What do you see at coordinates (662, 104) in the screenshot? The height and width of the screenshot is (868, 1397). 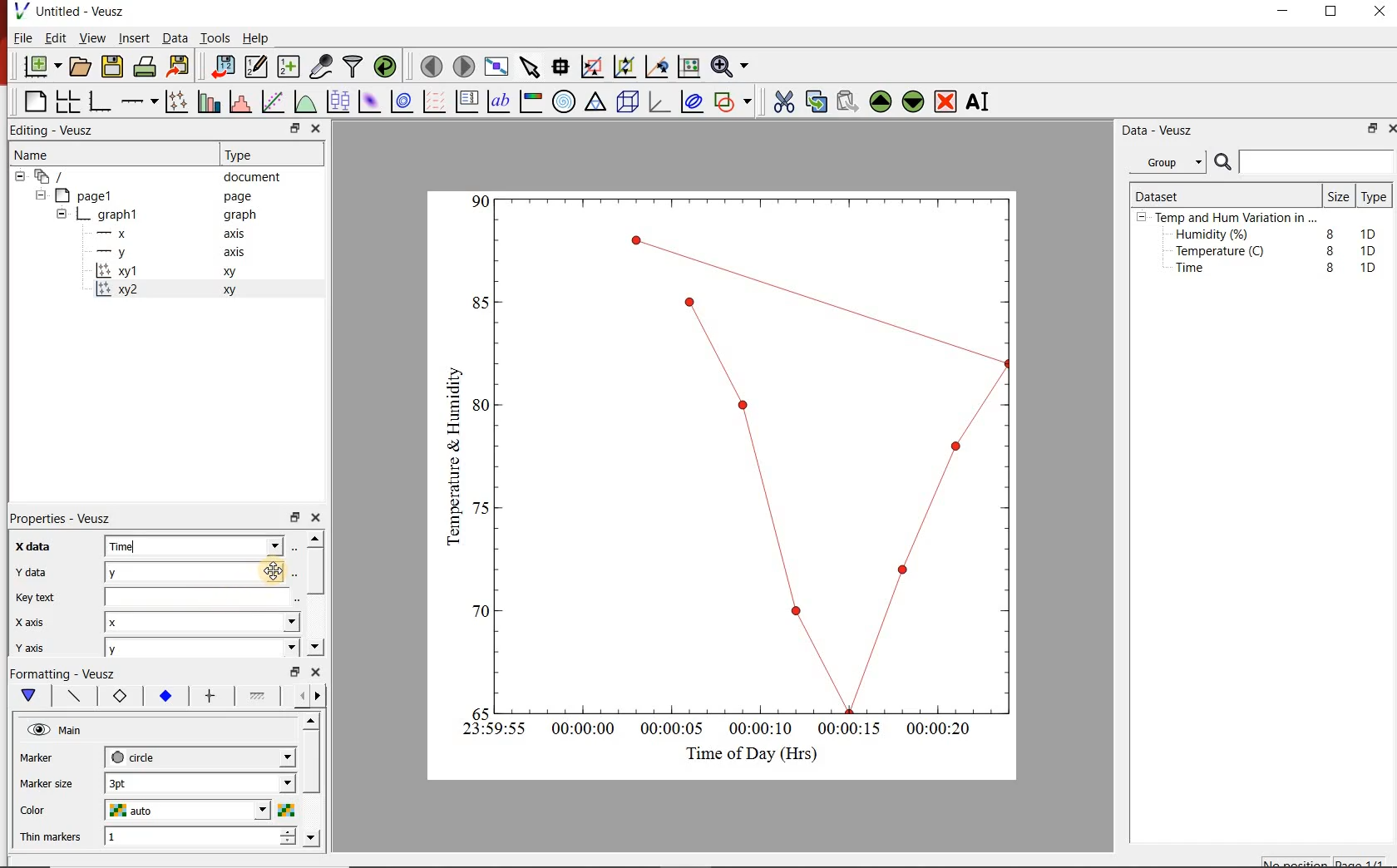 I see `3d graph` at bounding box center [662, 104].